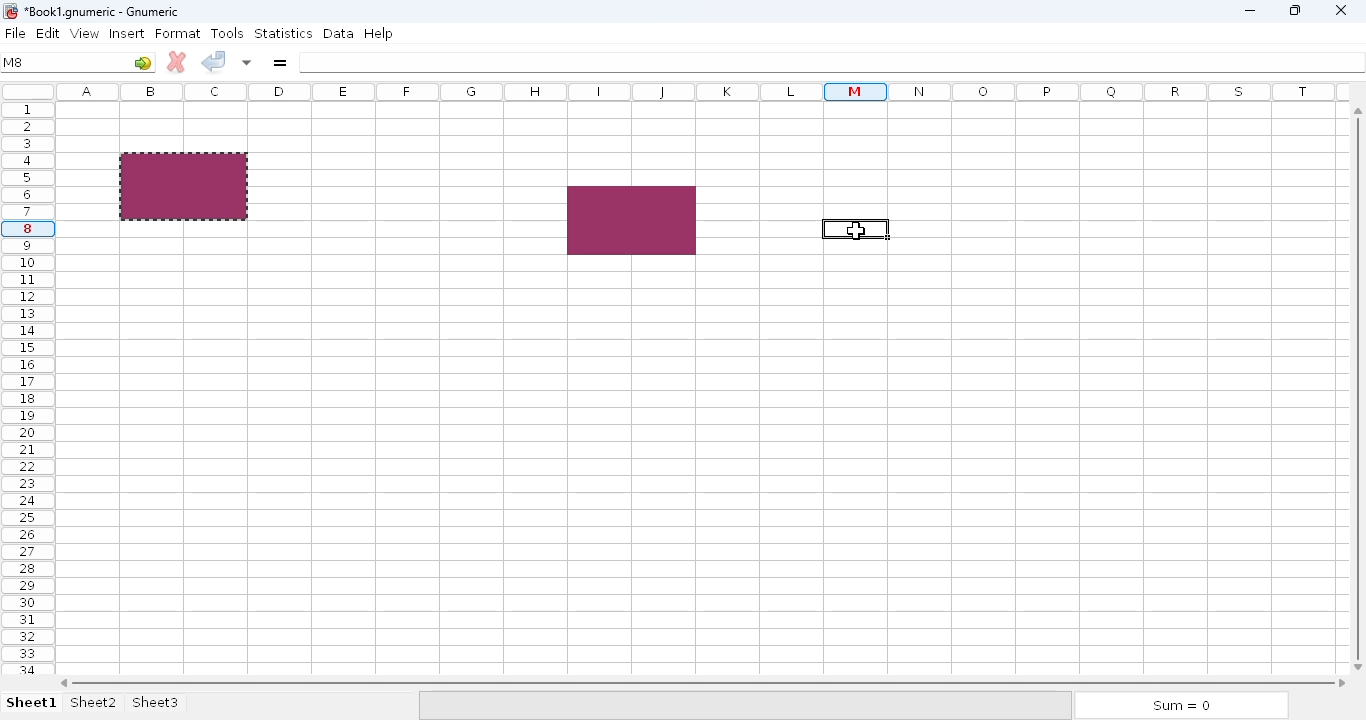 Image resolution: width=1366 pixels, height=720 pixels. What do you see at coordinates (184, 186) in the screenshot?
I see `copied range` at bounding box center [184, 186].